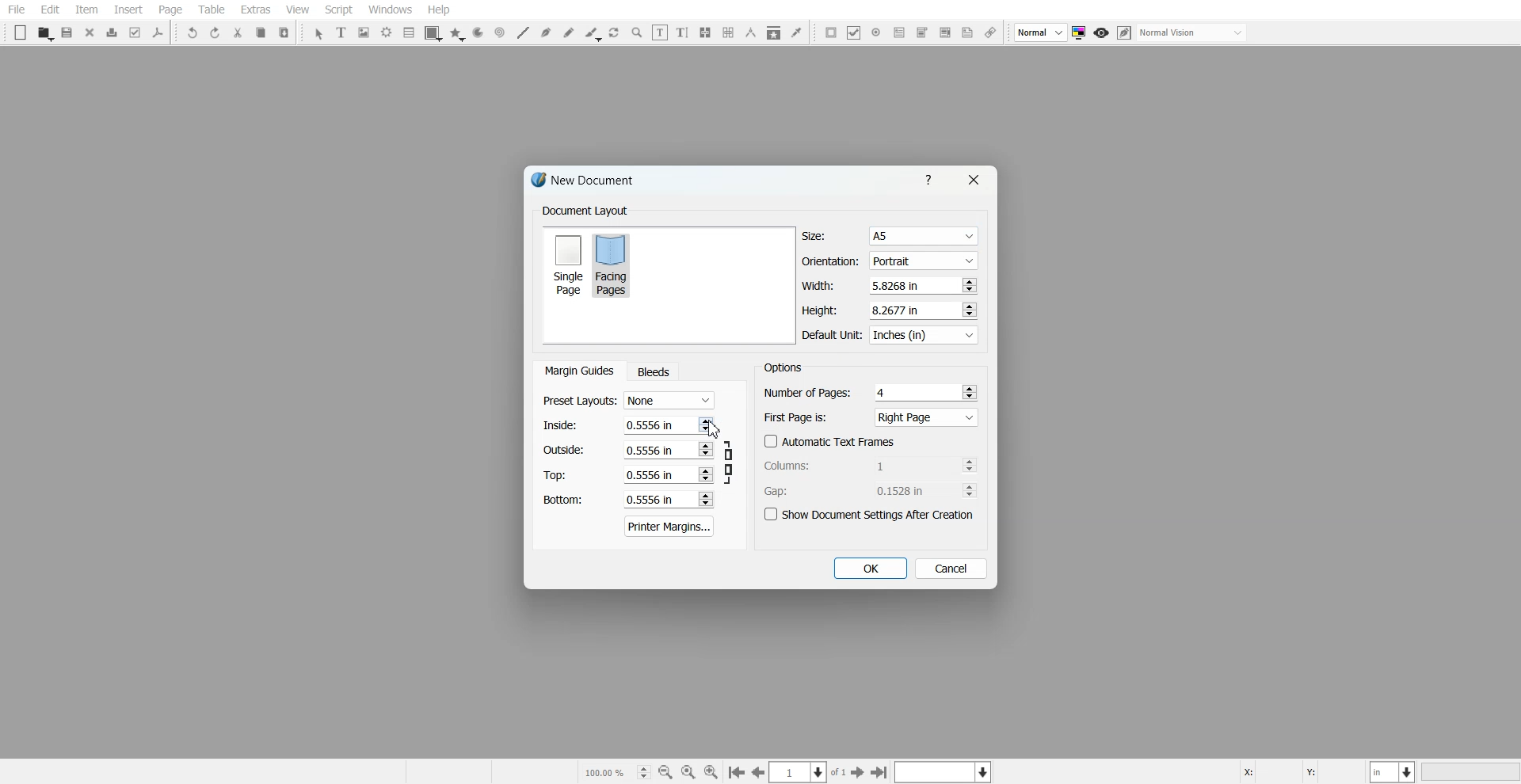 Image resolution: width=1521 pixels, height=784 pixels. Describe the element at coordinates (255, 10) in the screenshot. I see `Extras` at that location.